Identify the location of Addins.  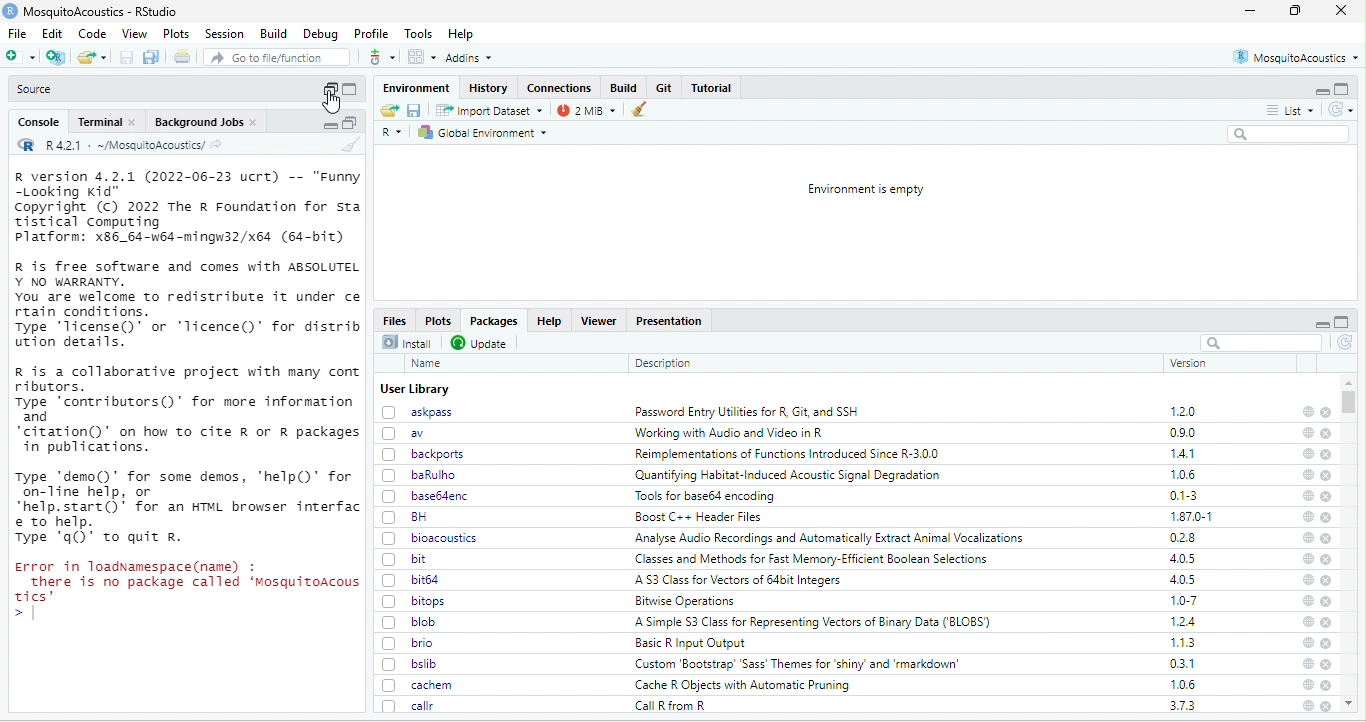
(469, 57).